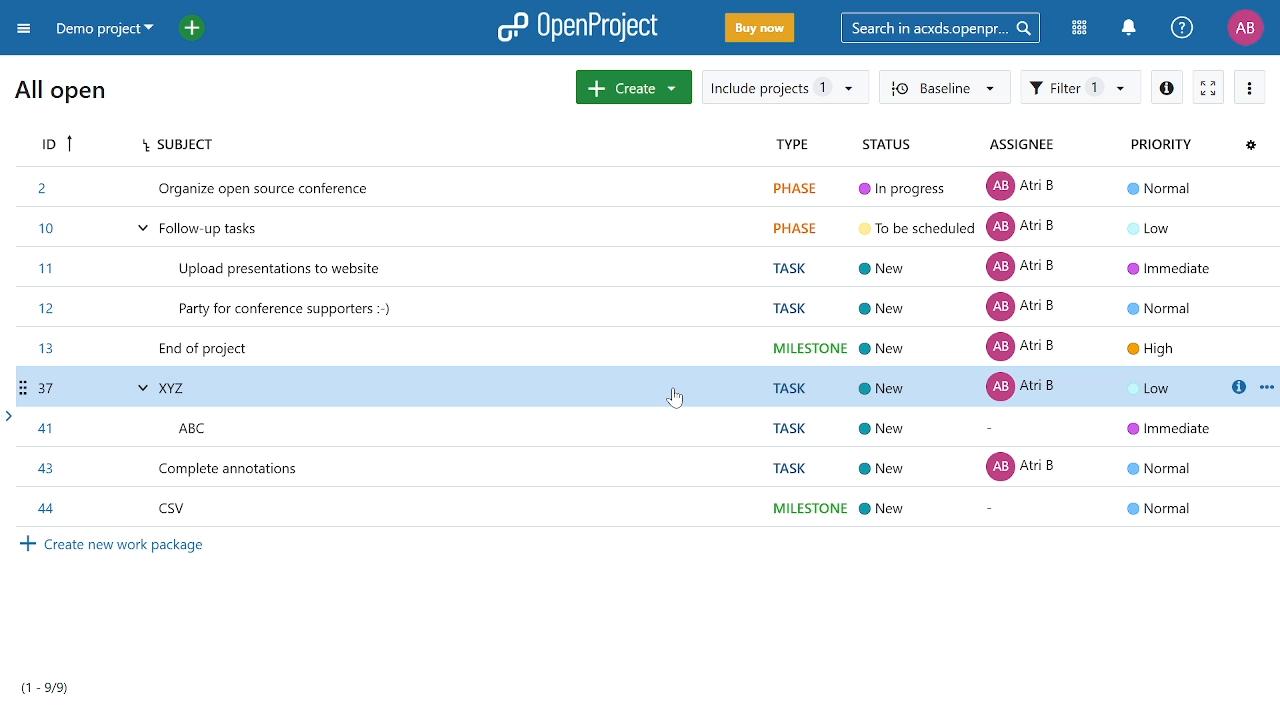 Image resolution: width=1280 pixels, height=720 pixels. What do you see at coordinates (647, 432) in the screenshot?
I see `work package ID 41 details` at bounding box center [647, 432].